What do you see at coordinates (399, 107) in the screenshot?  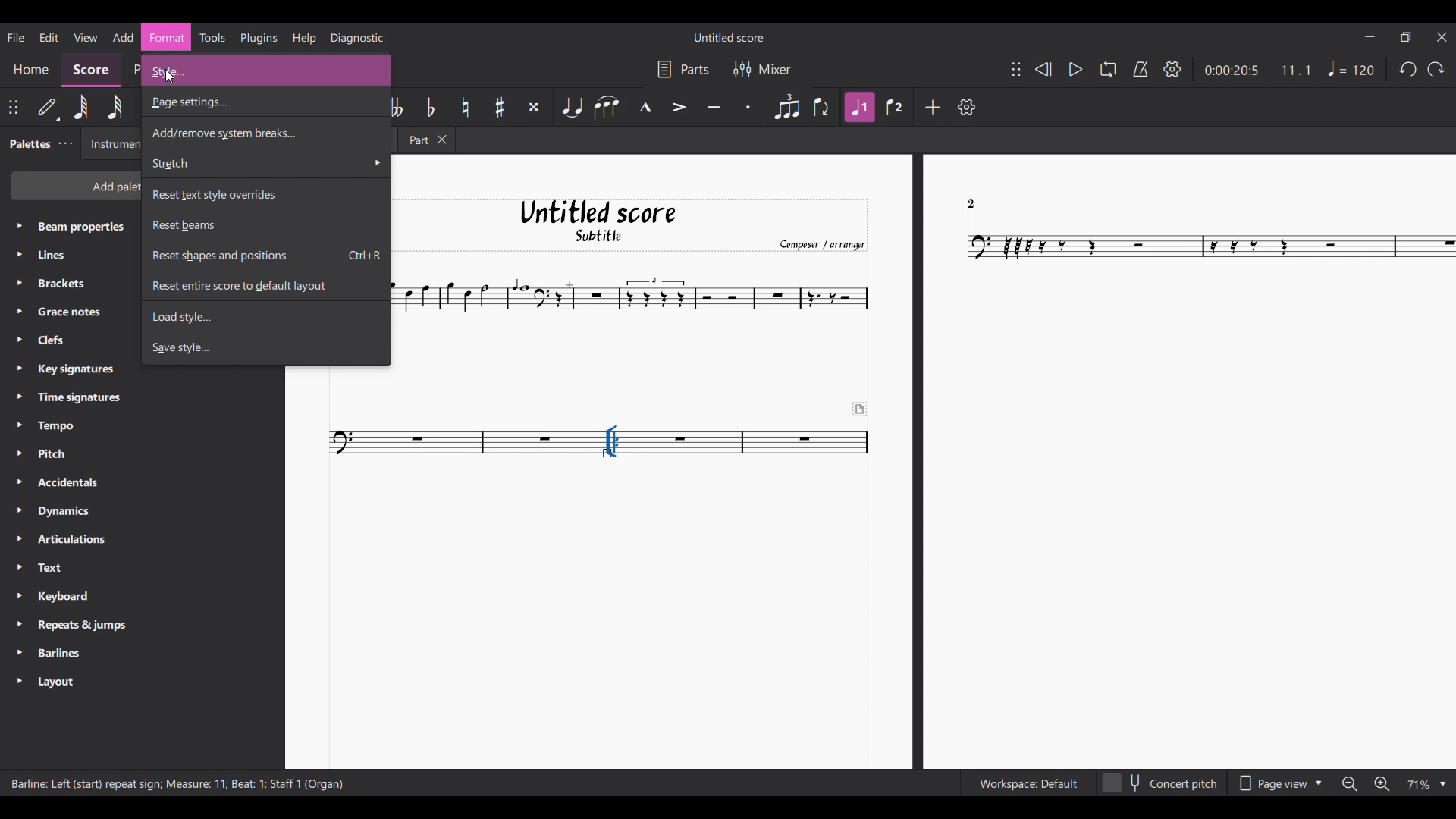 I see `Toggle double flat` at bounding box center [399, 107].